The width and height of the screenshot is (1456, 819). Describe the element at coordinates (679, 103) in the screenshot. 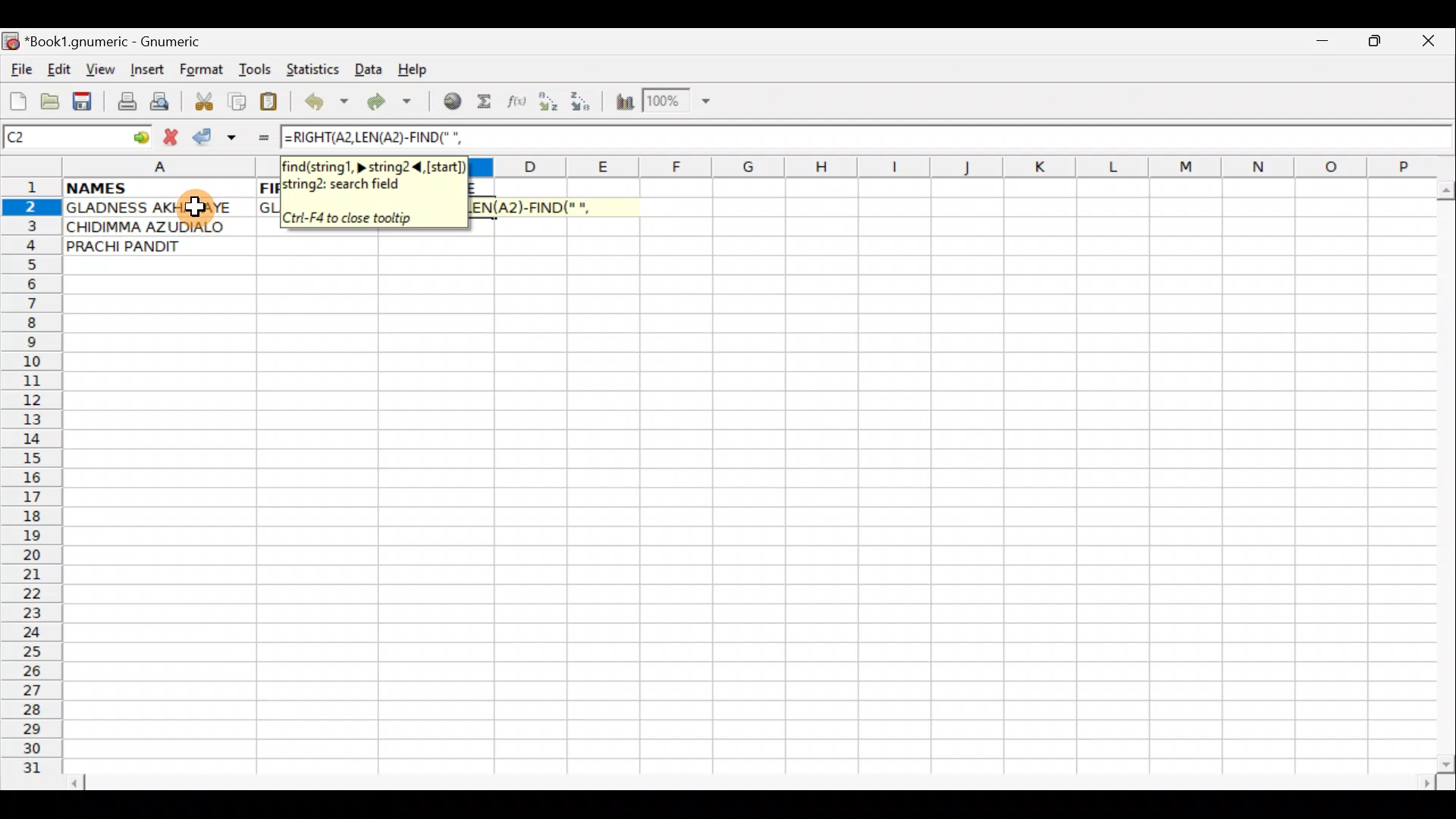

I see `Zoom` at that location.